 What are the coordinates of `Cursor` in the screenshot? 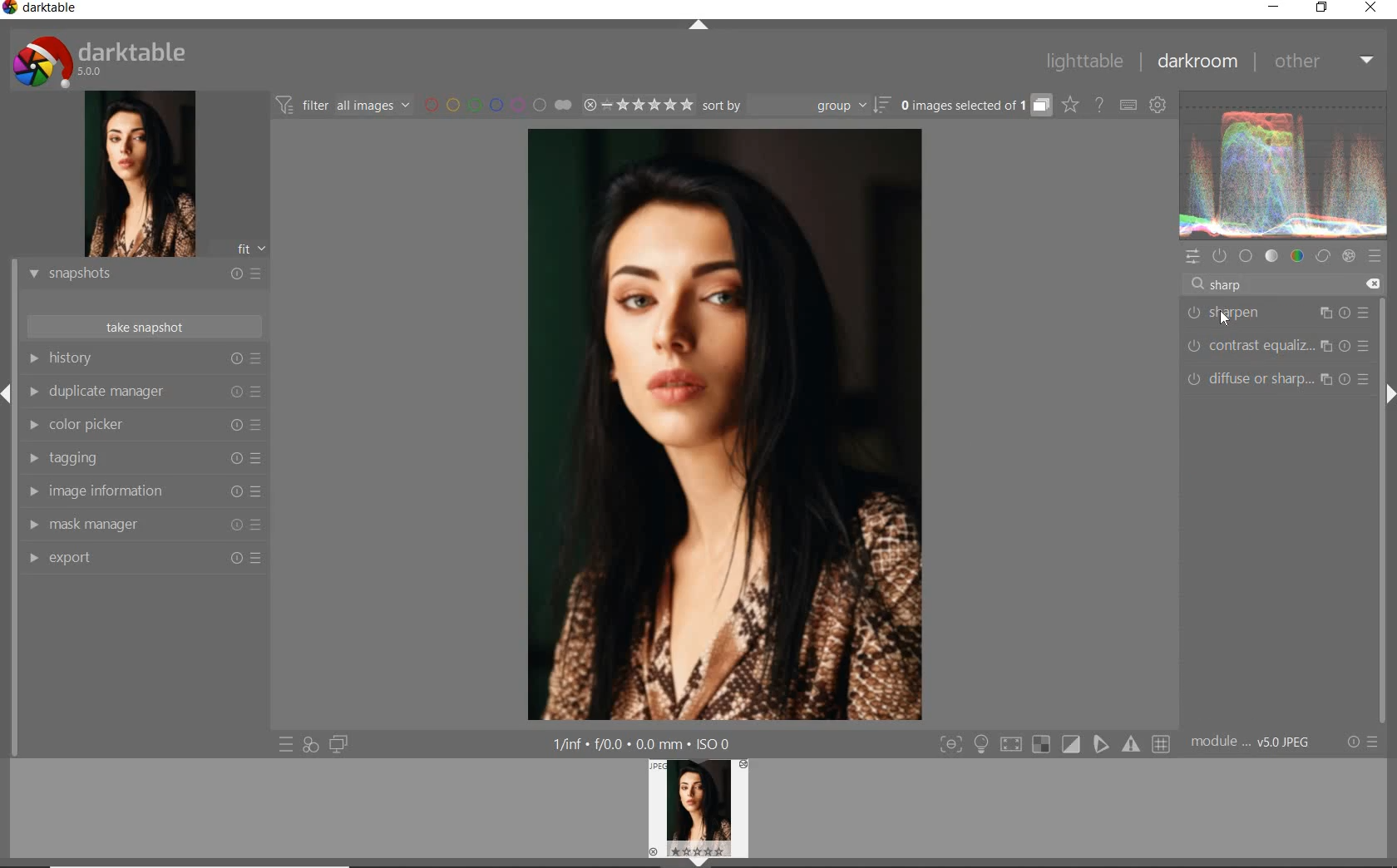 It's located at (1228, 317).